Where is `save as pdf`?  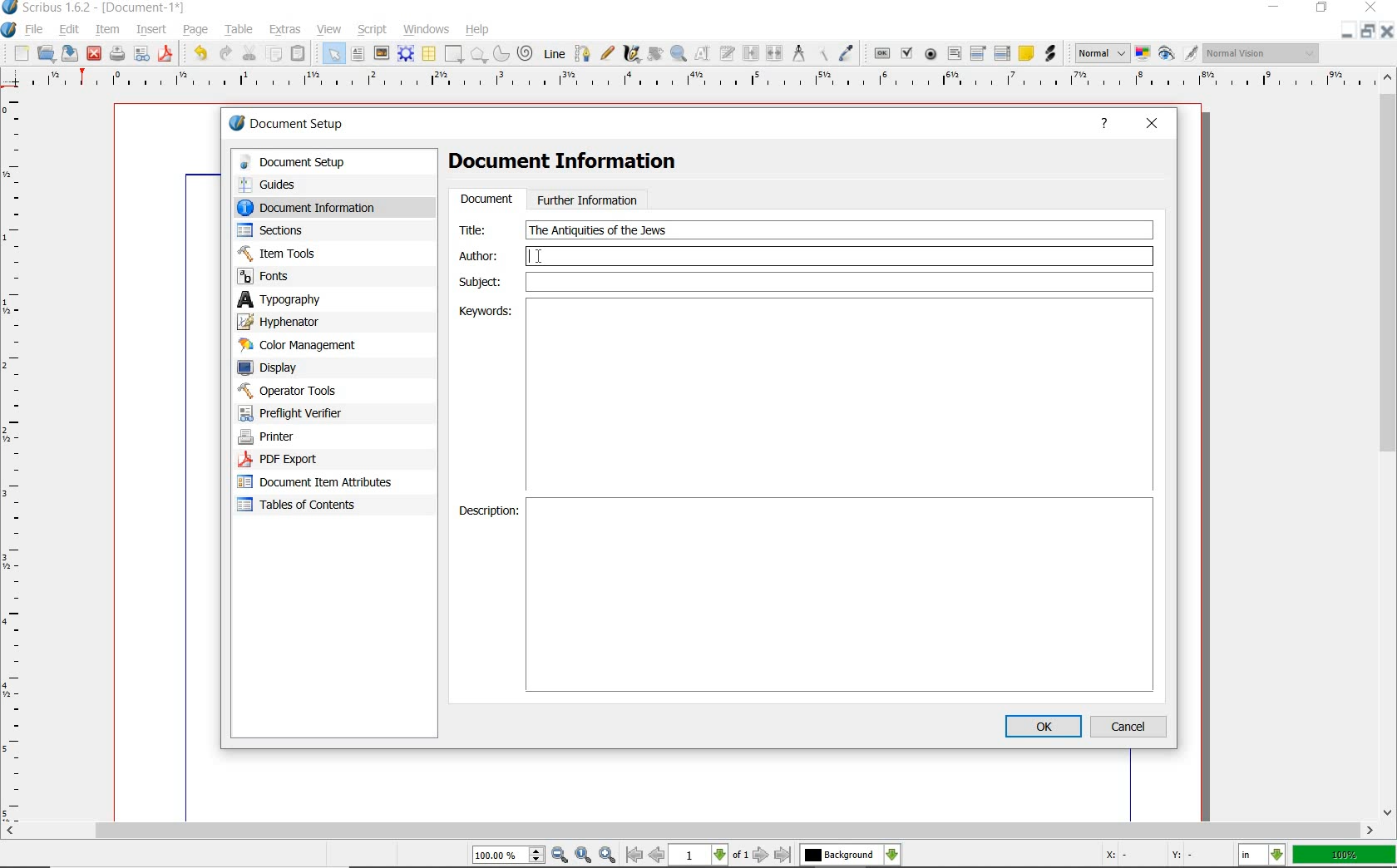 save as pdf is located at coordinates (165, 56).